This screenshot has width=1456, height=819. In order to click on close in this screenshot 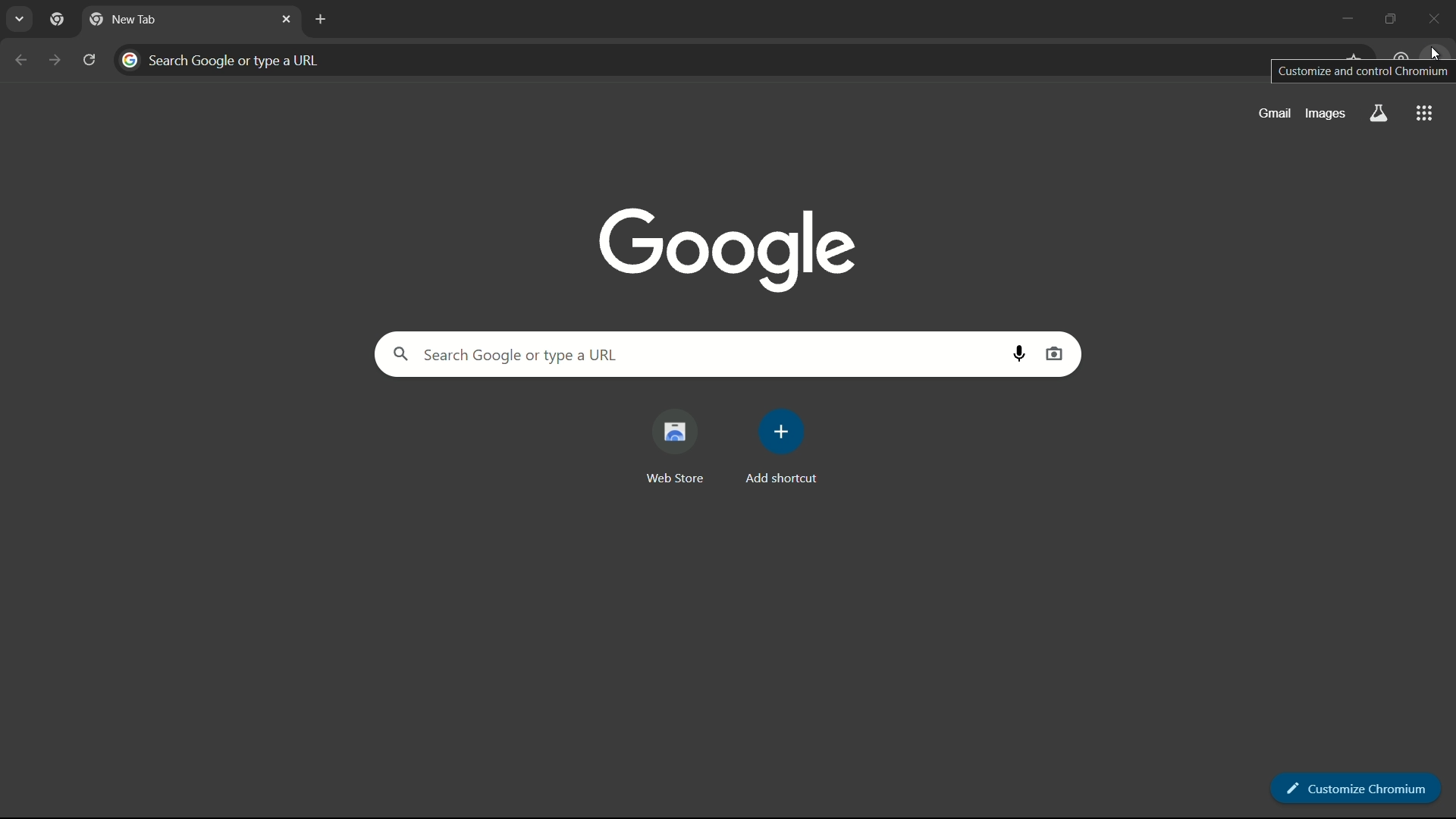, I will do `click(287, 17)`.